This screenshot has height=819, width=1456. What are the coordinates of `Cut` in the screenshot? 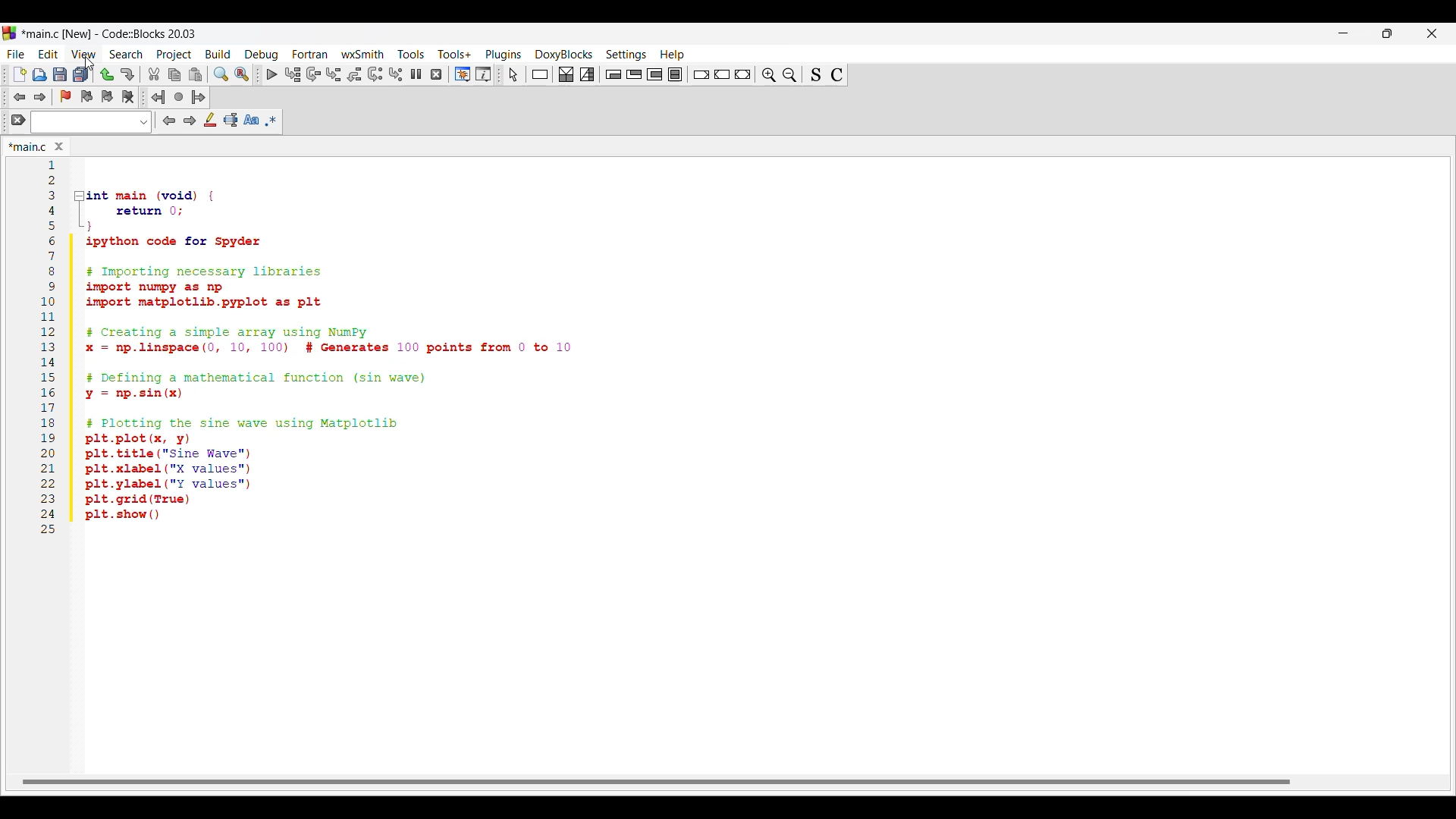 It's located at (155, 74).